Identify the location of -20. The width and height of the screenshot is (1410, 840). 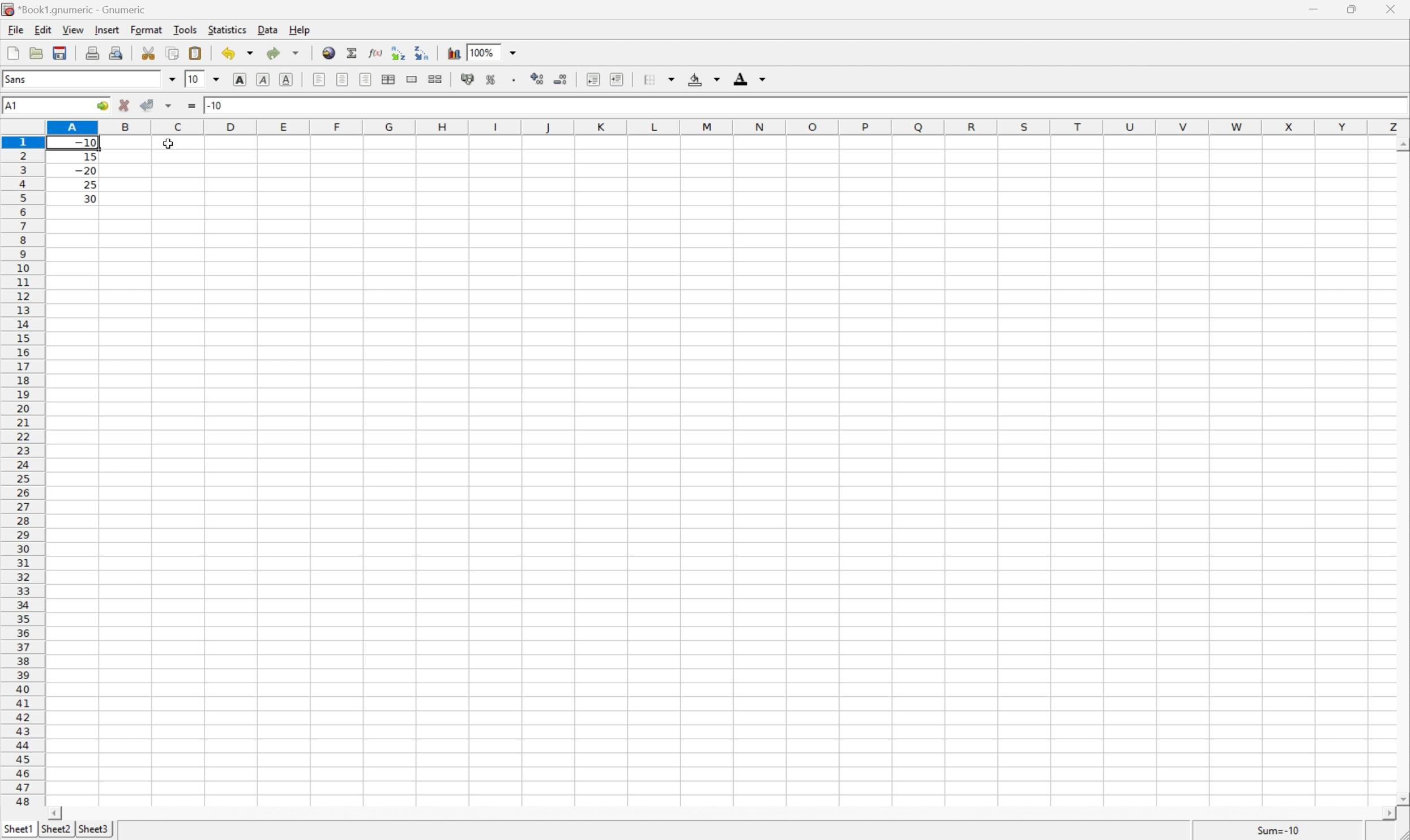
(86, 171).